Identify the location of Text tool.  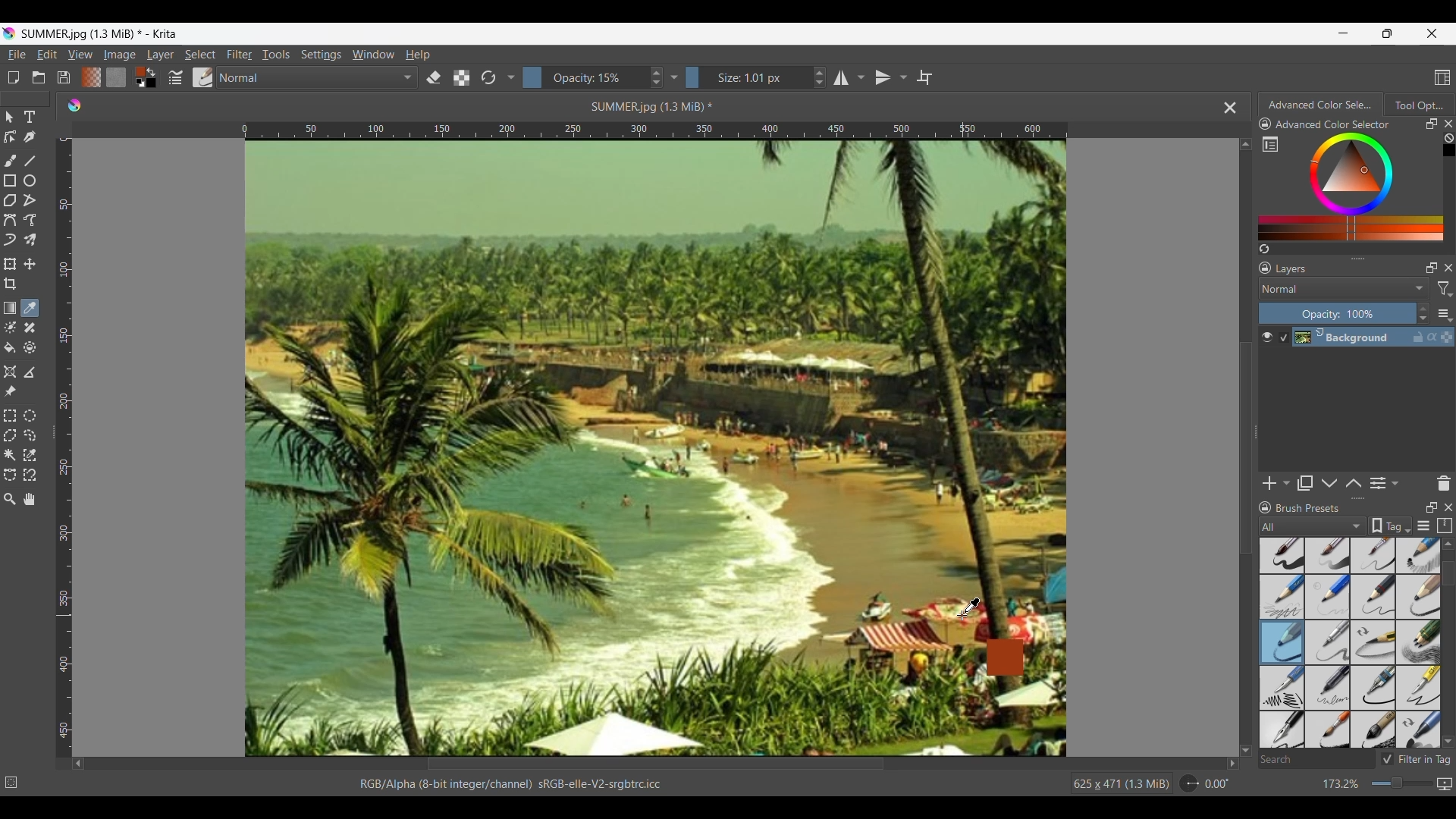
(30, 118).